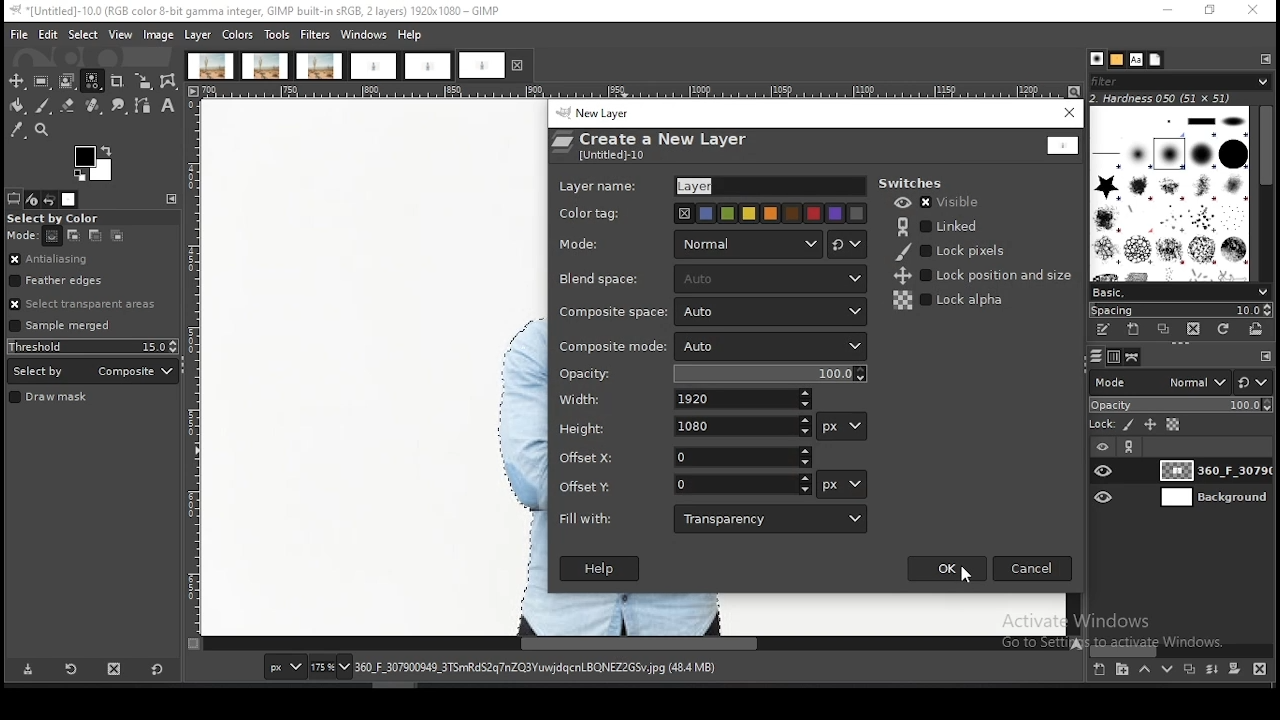 The height and width of the screenshot is (720, 1280). Describe the element at coordinates (743, 485) in the screenshot. I see `offset Y` at that location.